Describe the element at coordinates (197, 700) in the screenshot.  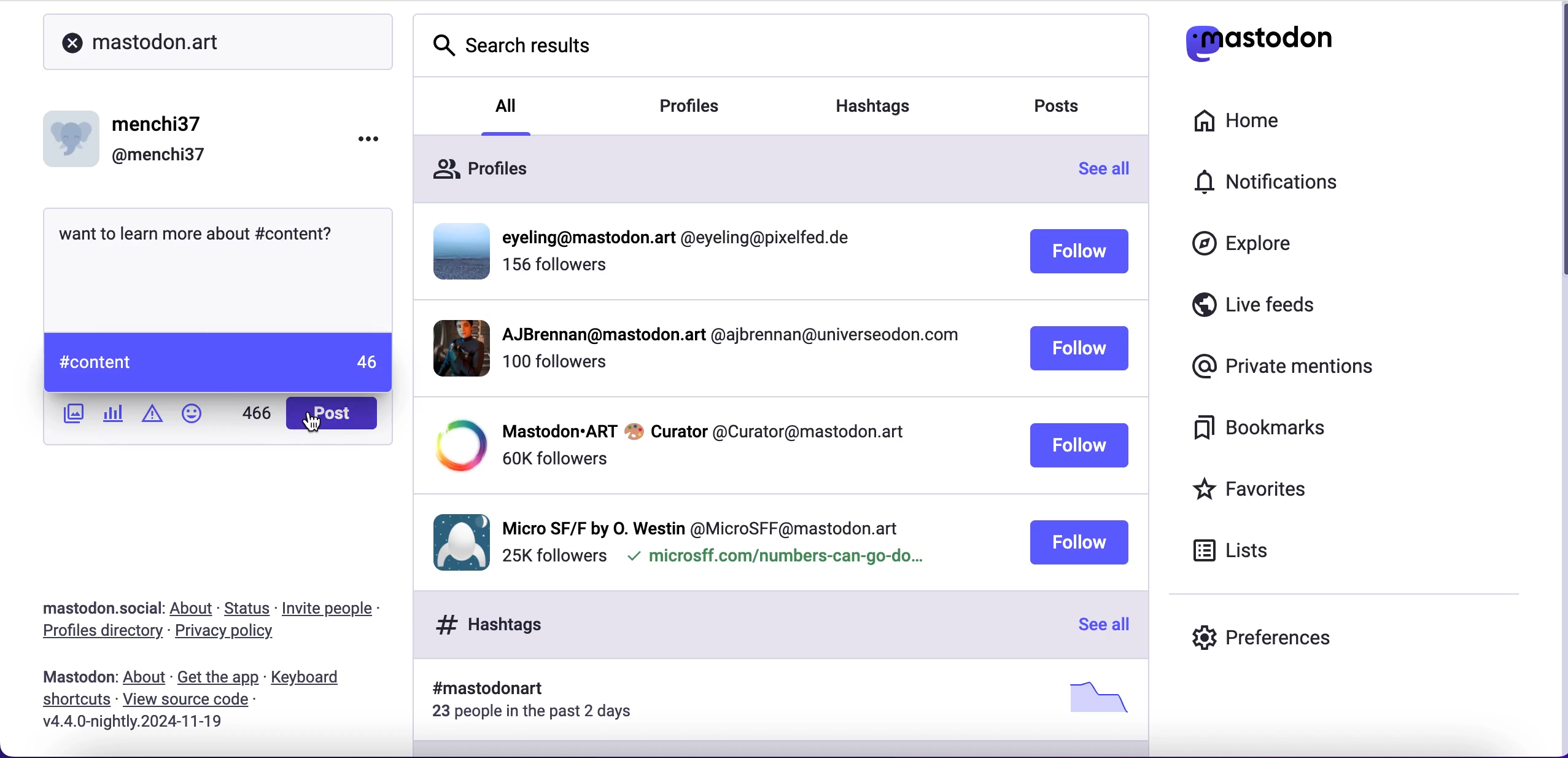
I see `view source code` at that location.